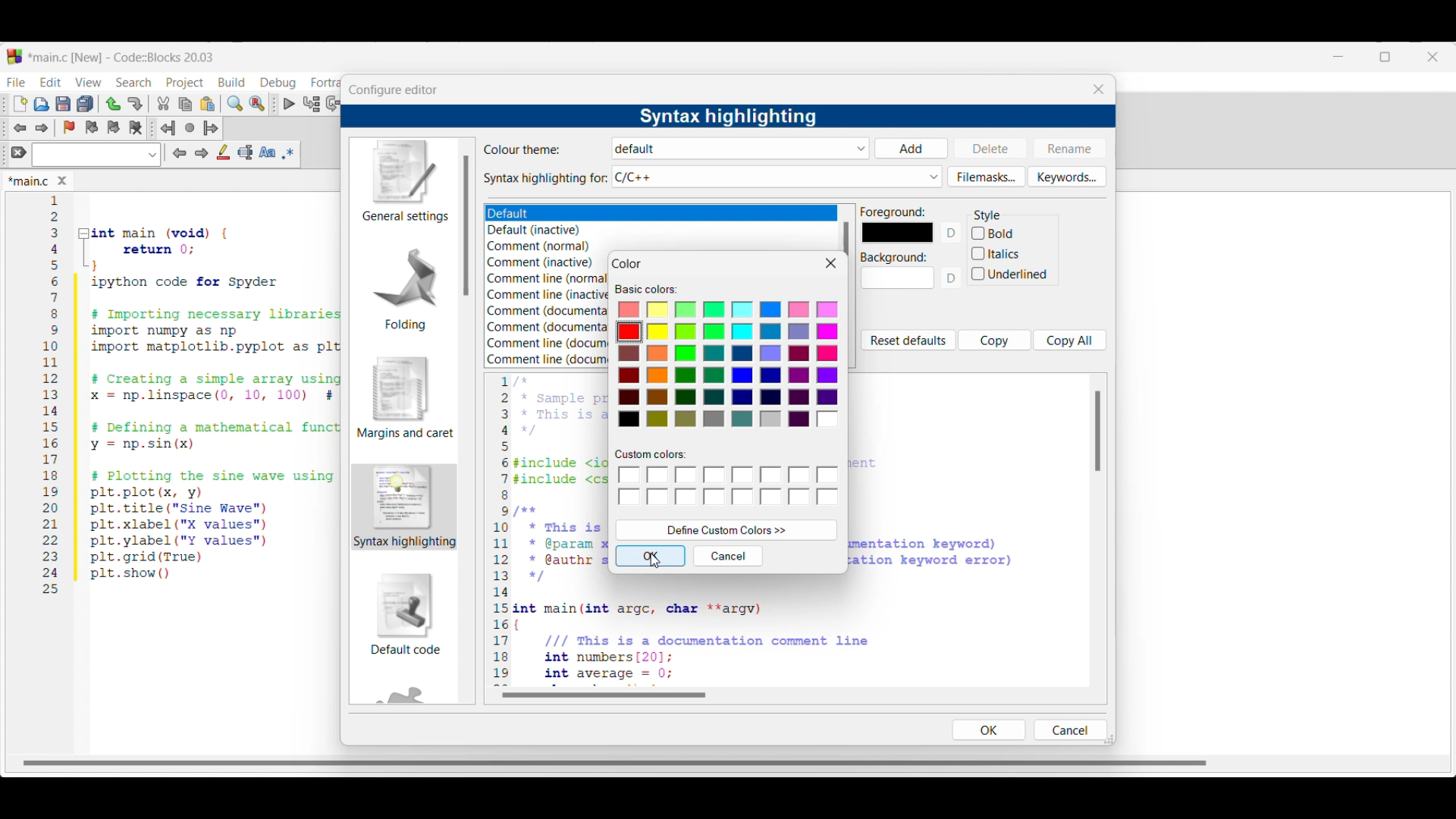 Image resolution: width=1456 pixels, height=819 pixels. I want to click on Jump forward, so click(211, 128).